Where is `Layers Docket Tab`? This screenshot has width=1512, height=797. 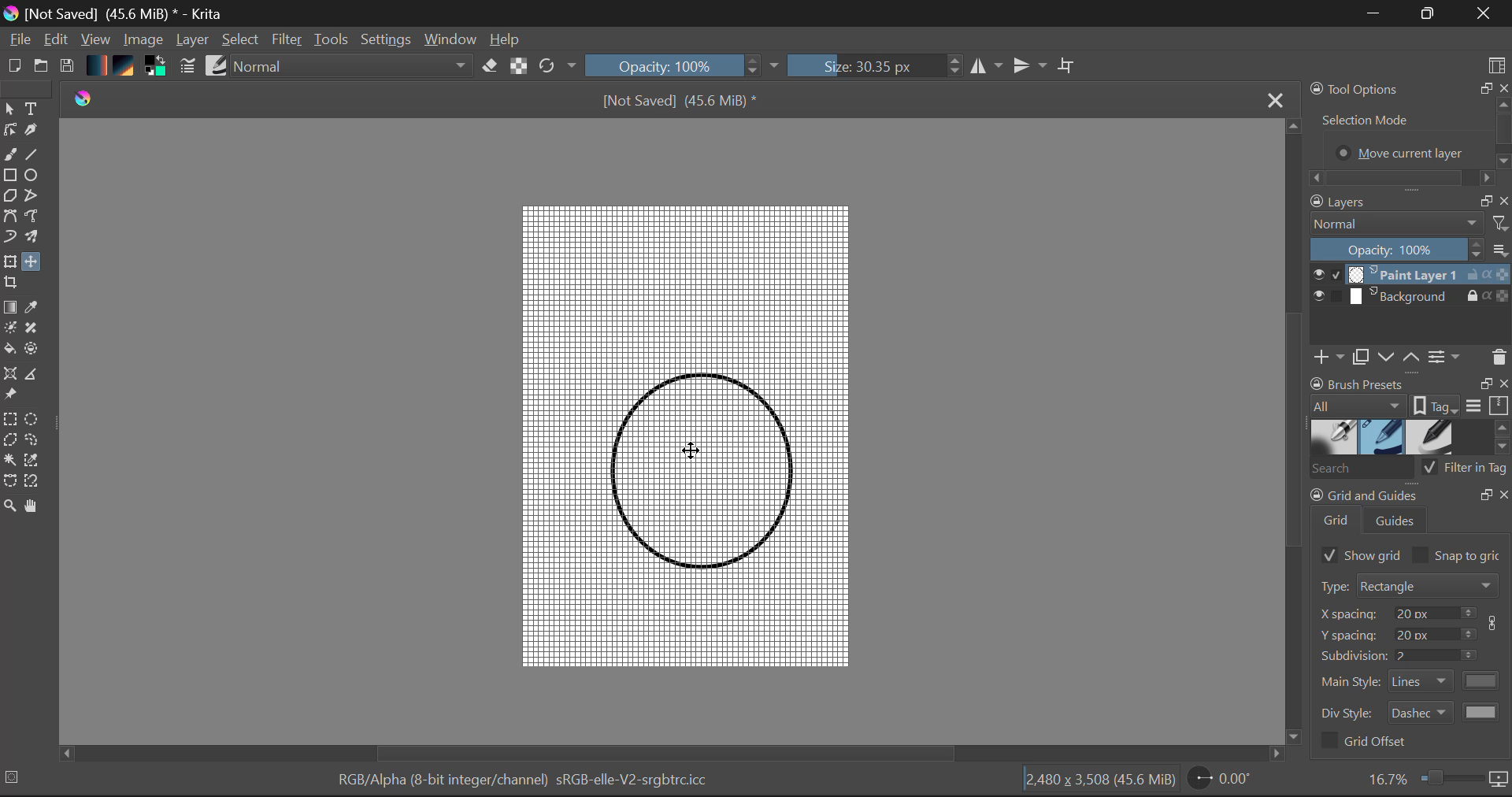 Layers Docket Tab is located at coordinates (1409, 200).